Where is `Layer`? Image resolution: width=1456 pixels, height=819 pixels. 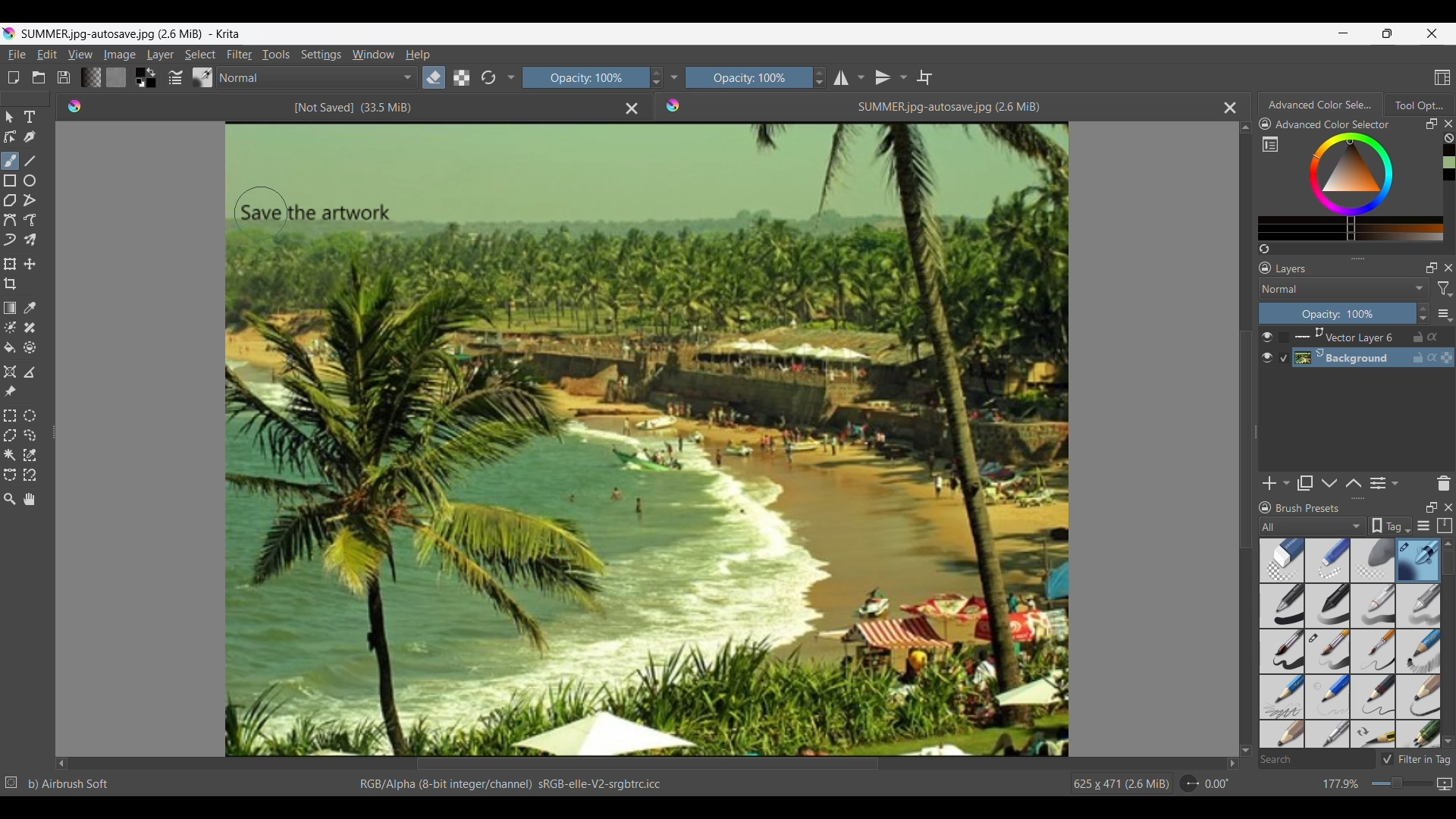
Layer is located at coordinates (161, 55).